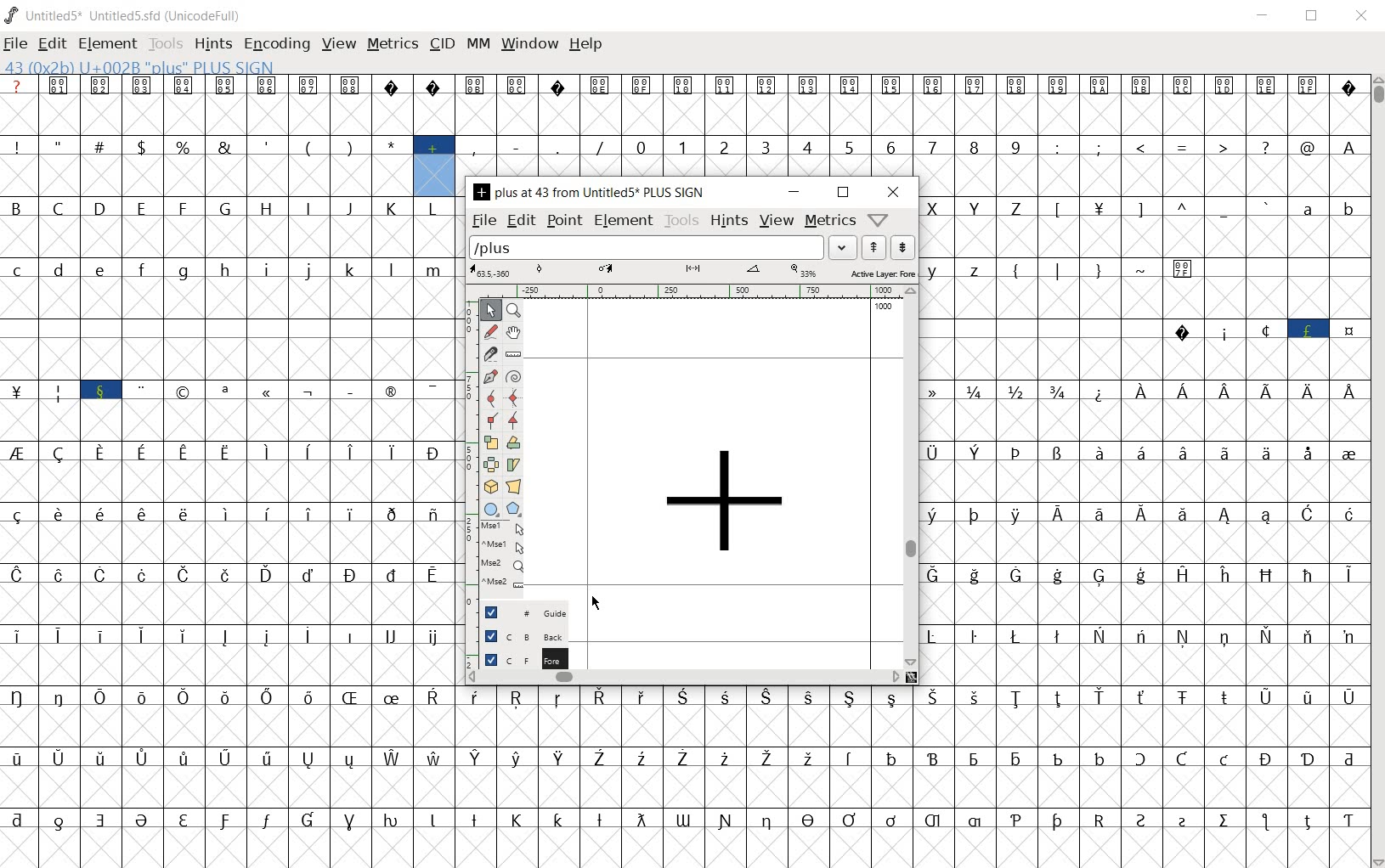 The image size is (1385, 868). I want to click on Help/Window, so click(880, 220).